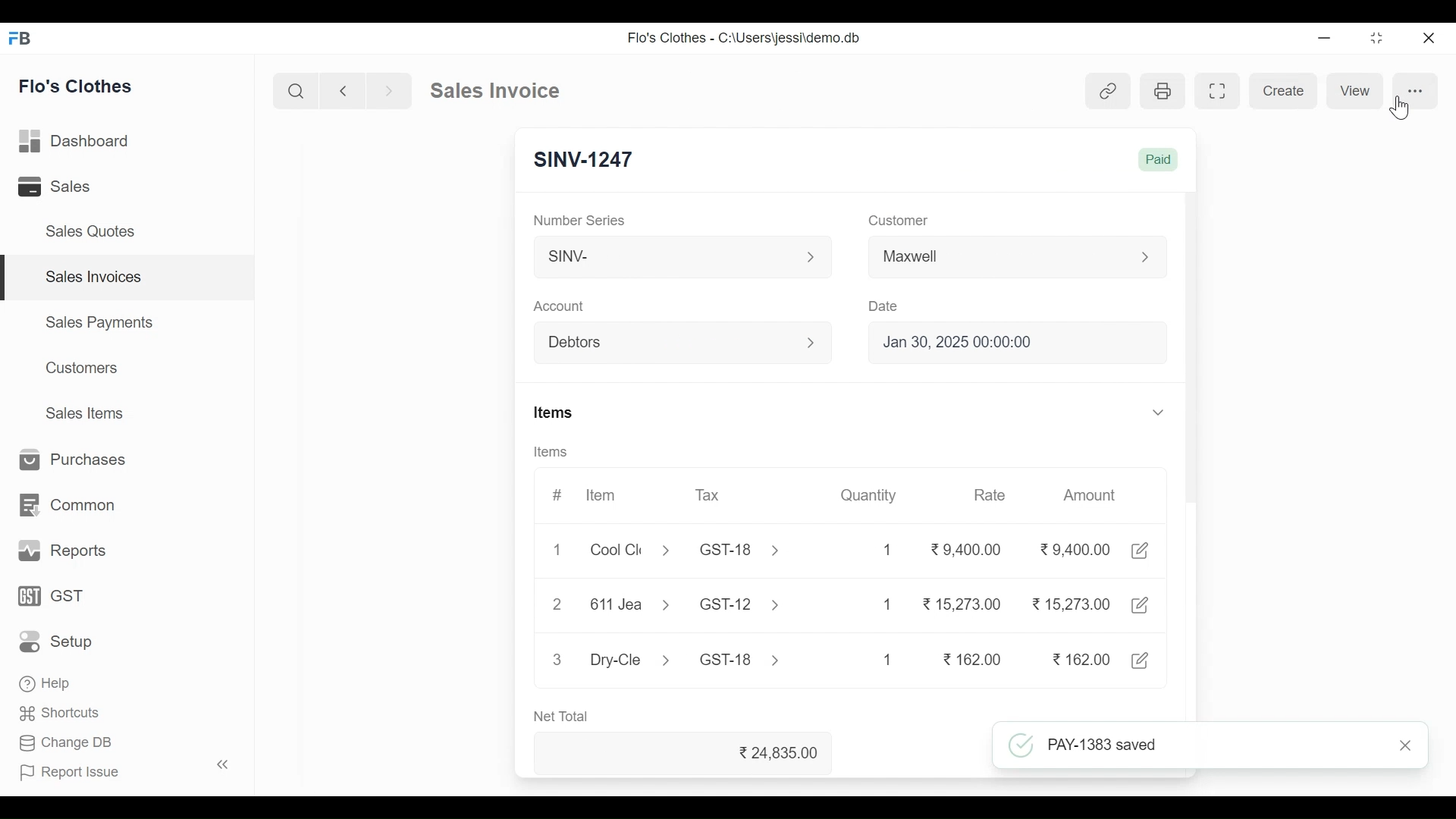 This screenshot has width=1456, height=819. I want to click on View link references, so click(1109, 91).